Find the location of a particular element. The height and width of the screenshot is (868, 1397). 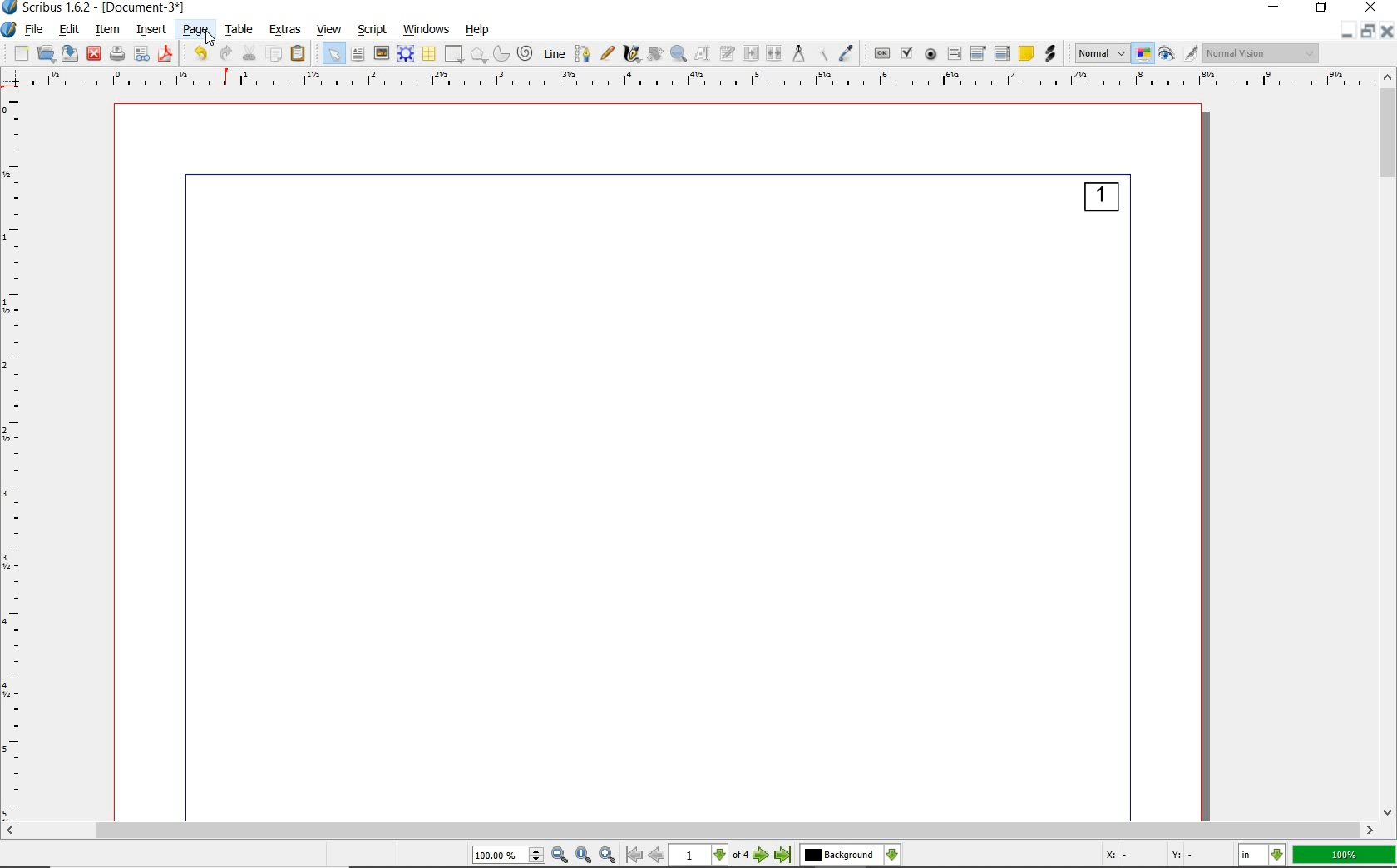

pdf combo box is located at coordinates (979, 54).